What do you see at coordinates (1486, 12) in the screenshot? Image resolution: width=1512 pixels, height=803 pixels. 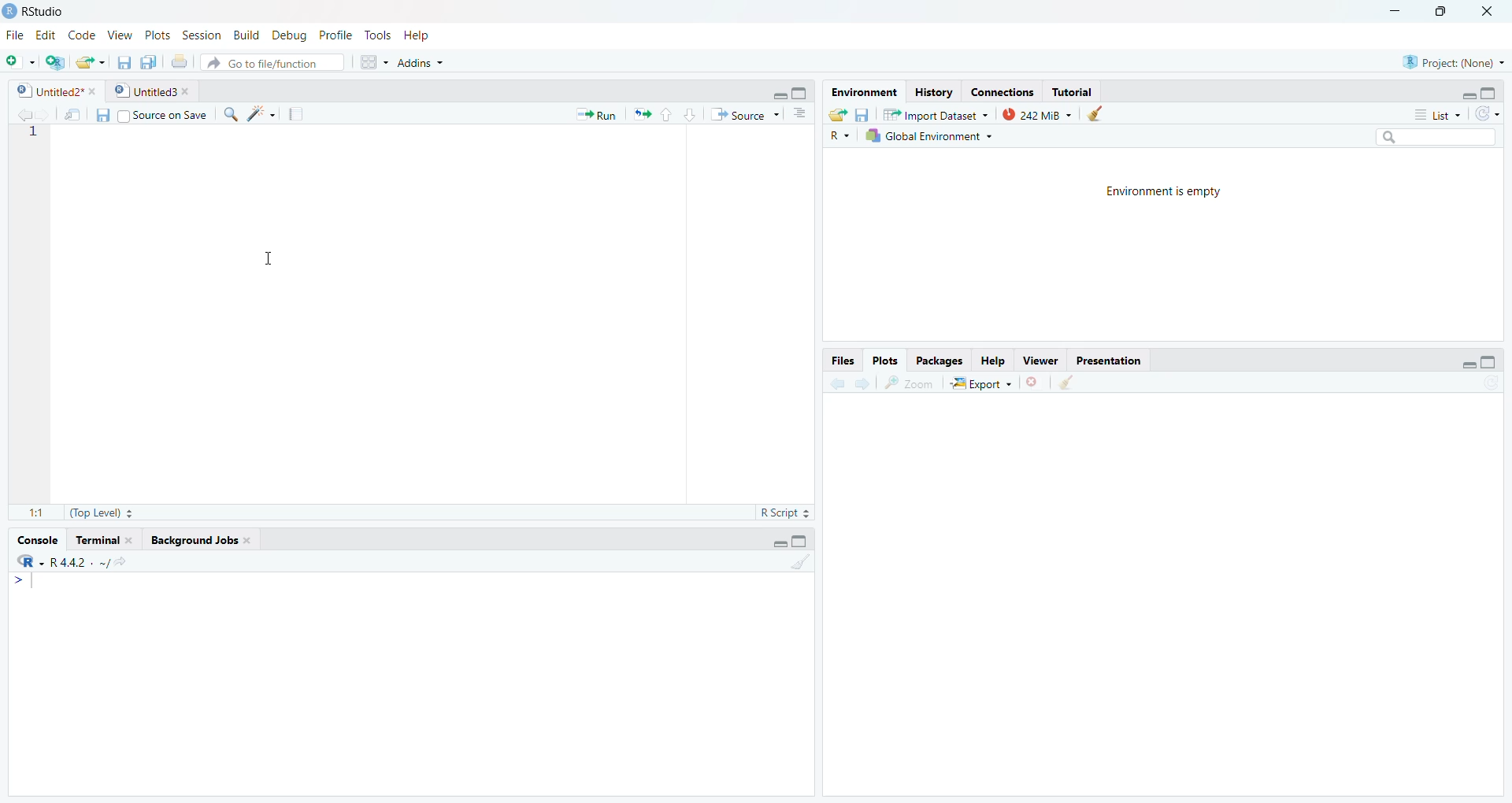 I see `Close` at bounding box center [1486, 12].